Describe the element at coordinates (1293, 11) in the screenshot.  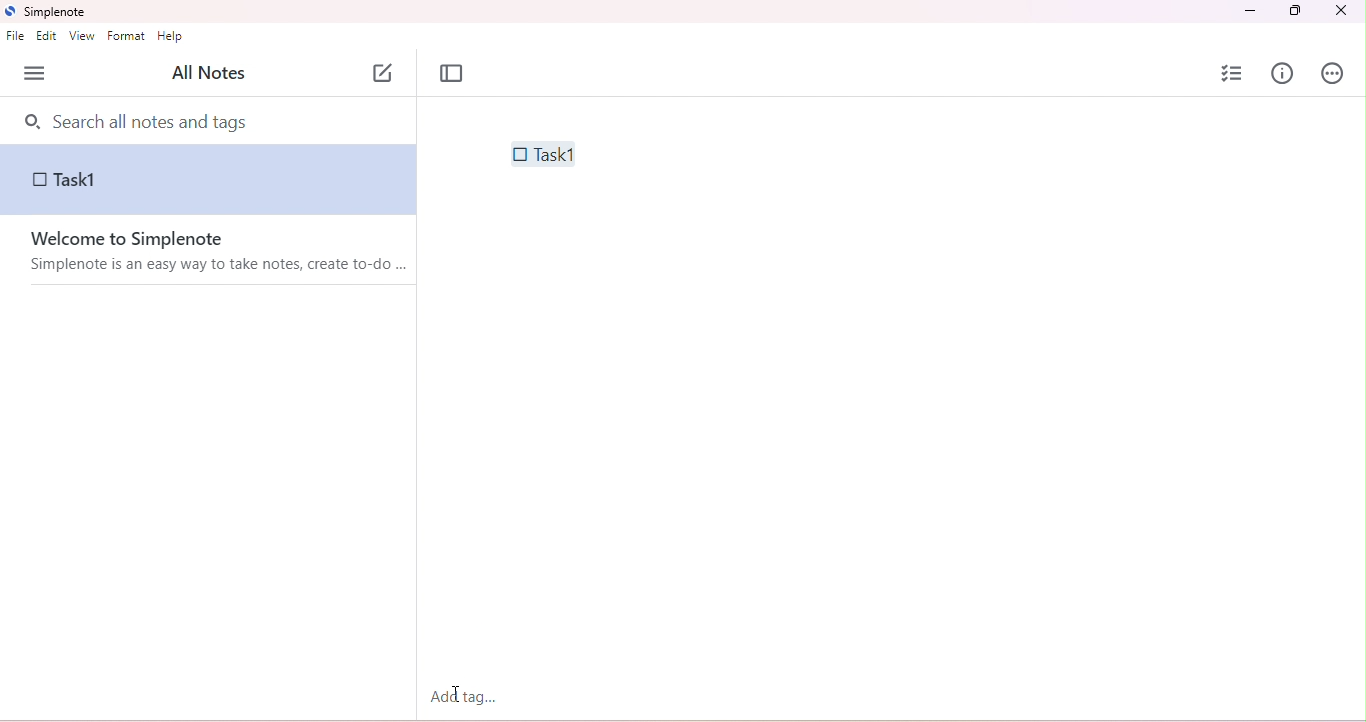
I see `maximize` at that location.